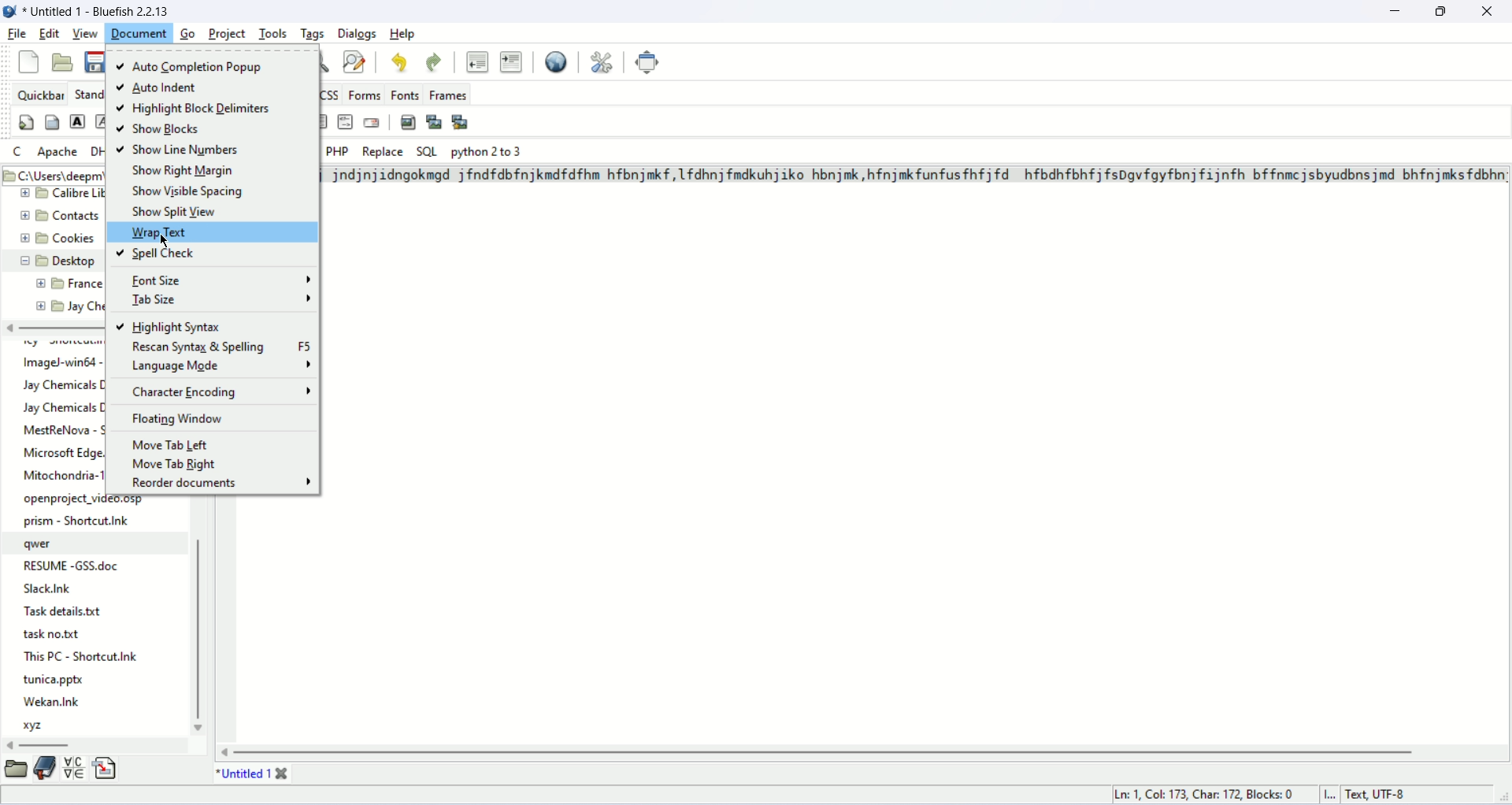  What do you see at coordinates (193, 193) in the screenshot?
I see `show visible spacing` at bounding box center [193, 193].